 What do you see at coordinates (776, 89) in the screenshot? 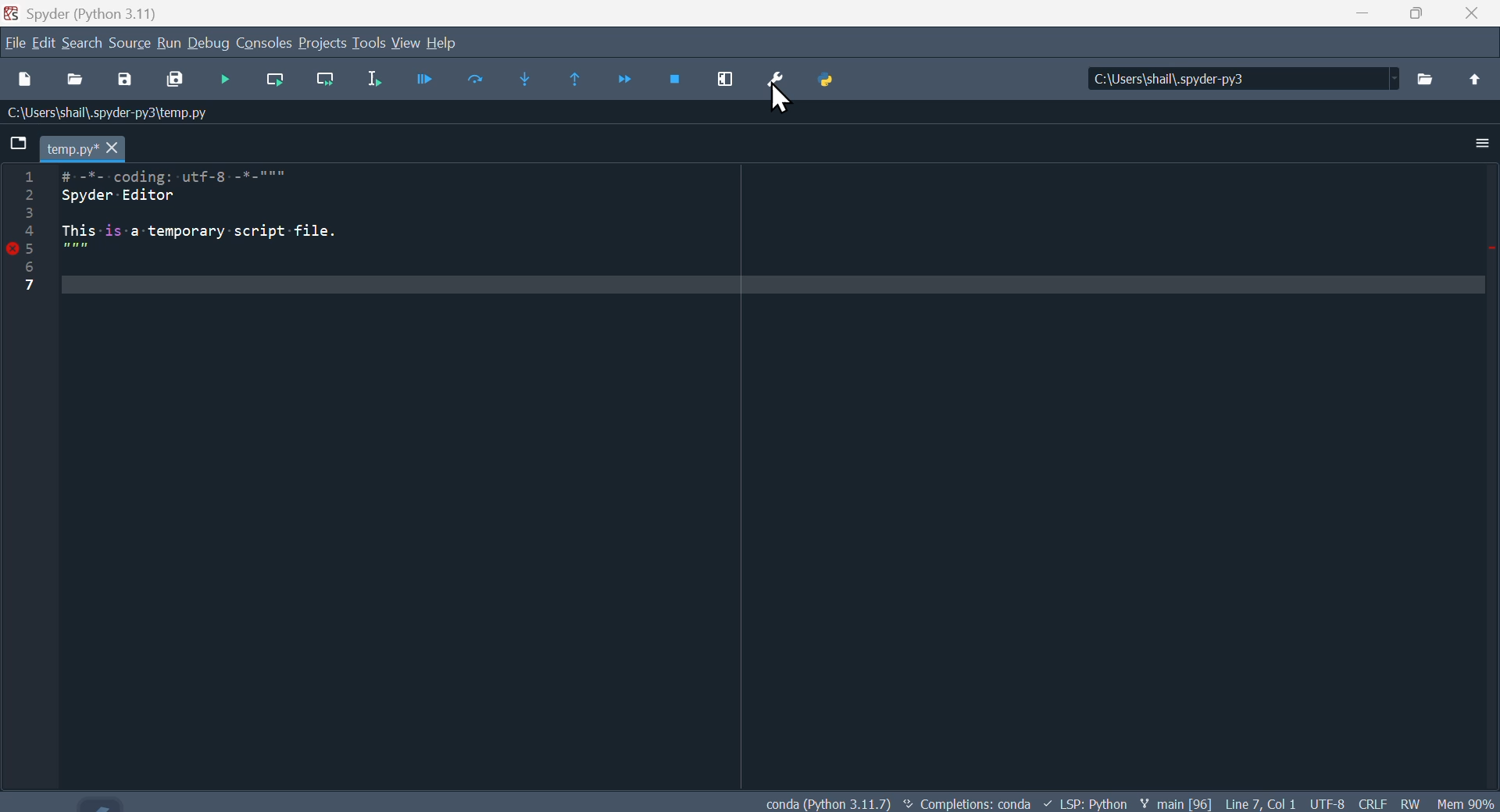
I see `Preferences` at bounding box center [776, 89].